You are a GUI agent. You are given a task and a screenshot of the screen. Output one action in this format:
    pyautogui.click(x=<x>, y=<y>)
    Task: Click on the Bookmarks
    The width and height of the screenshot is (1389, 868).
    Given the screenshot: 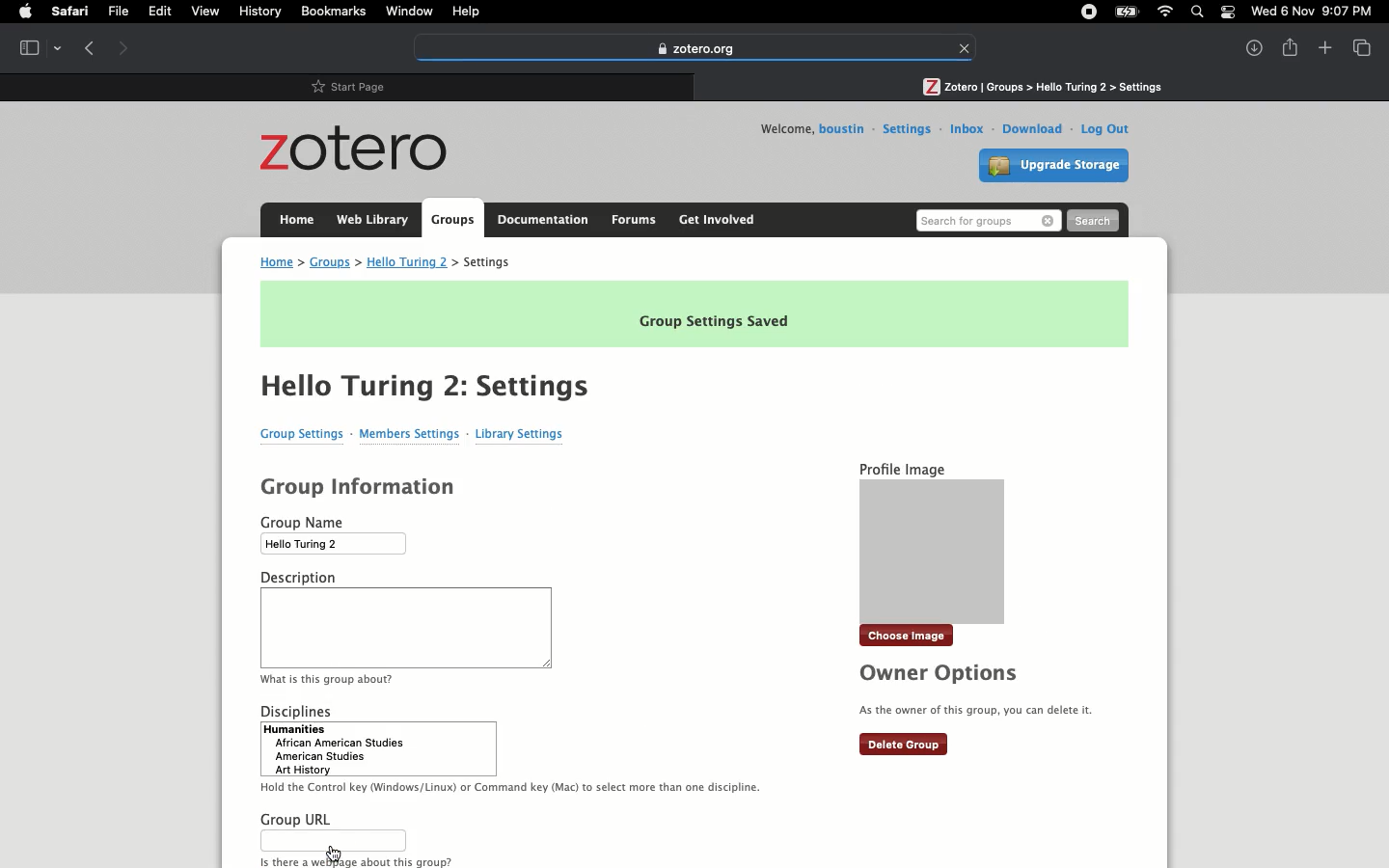 What is the action you would take?
    pyautogui.click(x=334, y=12)
    